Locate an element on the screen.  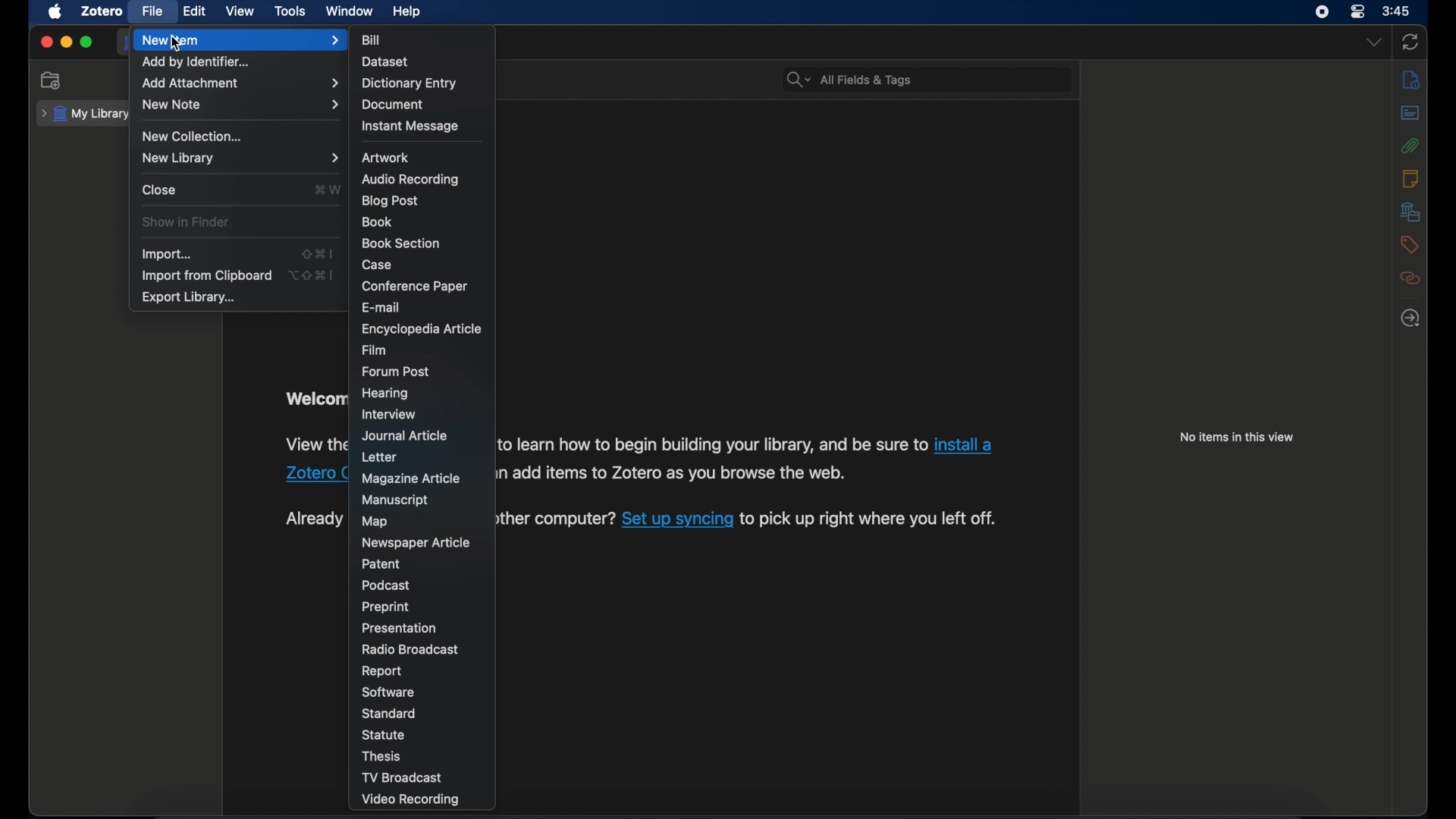
new note is located at coordinates (240, 105).